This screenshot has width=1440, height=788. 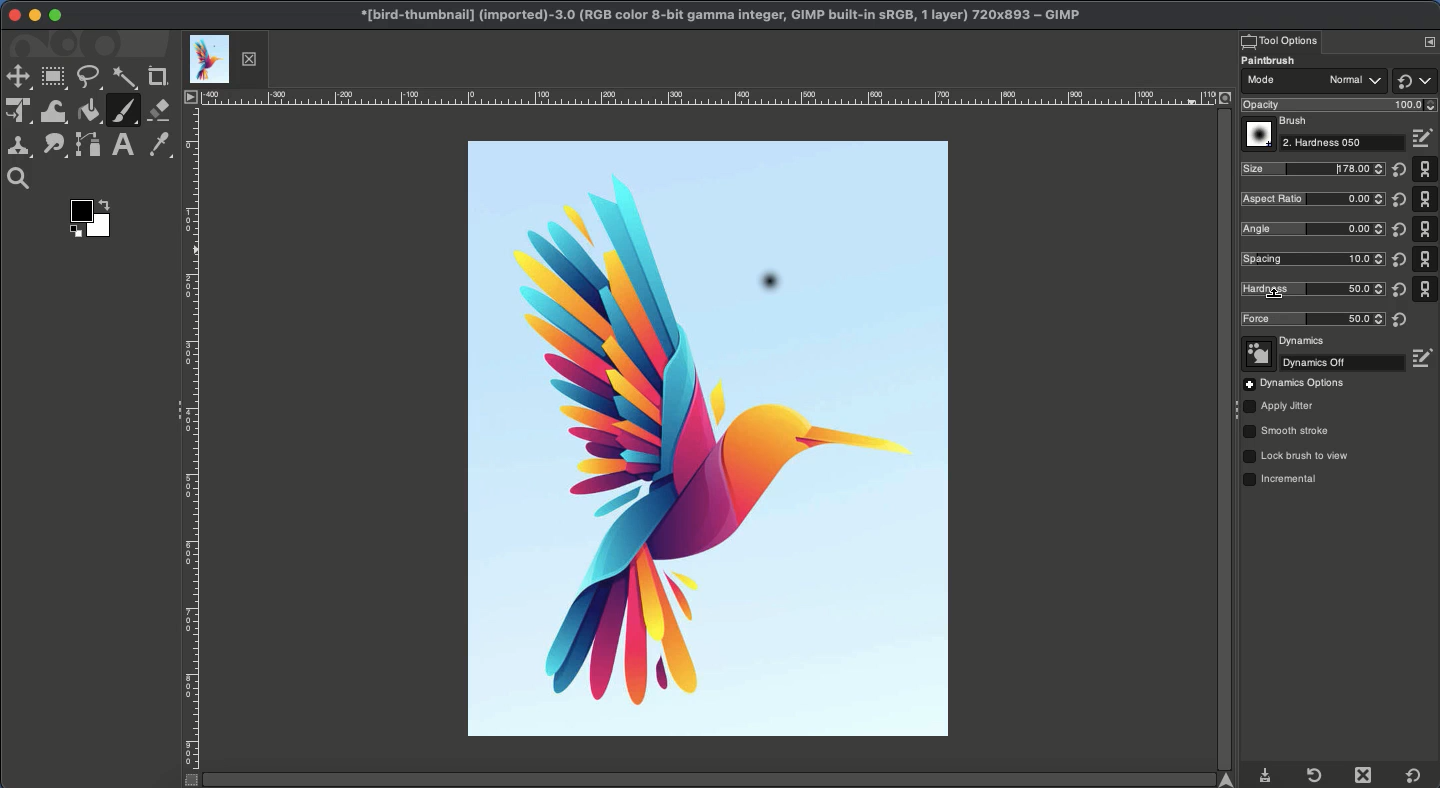 What do you see at coordinates (701, 205) in the screenshot?
I see `image` at bounding box center [701, 205].